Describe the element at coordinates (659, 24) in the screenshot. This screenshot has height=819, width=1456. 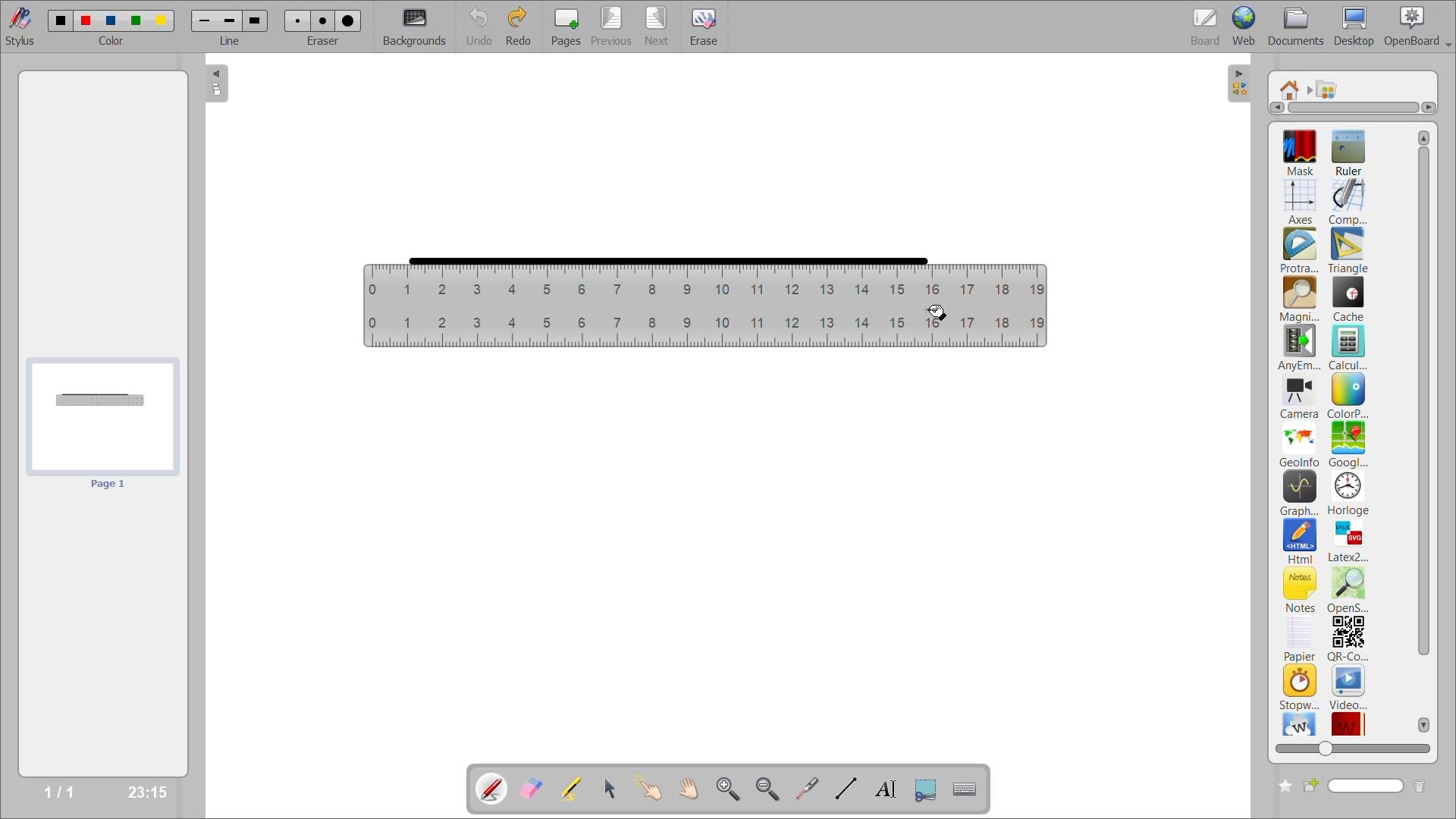
I see `next` at that location.